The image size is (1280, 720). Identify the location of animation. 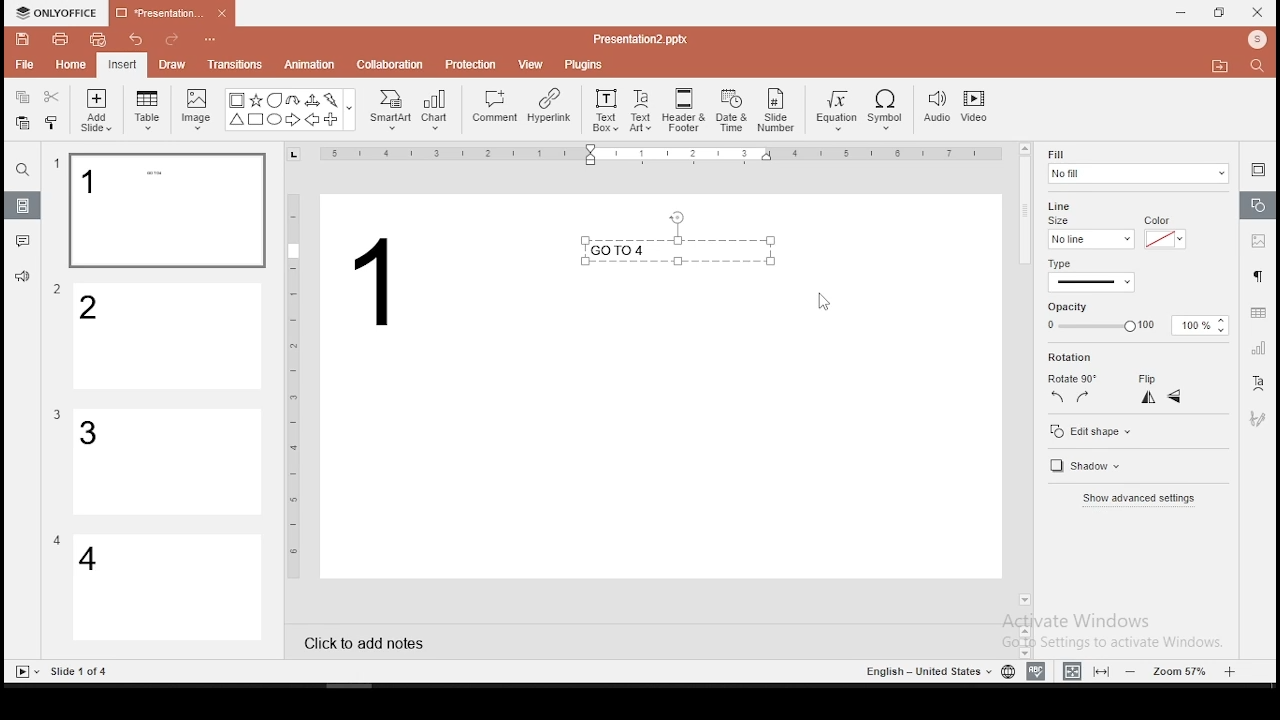
(308, 66).